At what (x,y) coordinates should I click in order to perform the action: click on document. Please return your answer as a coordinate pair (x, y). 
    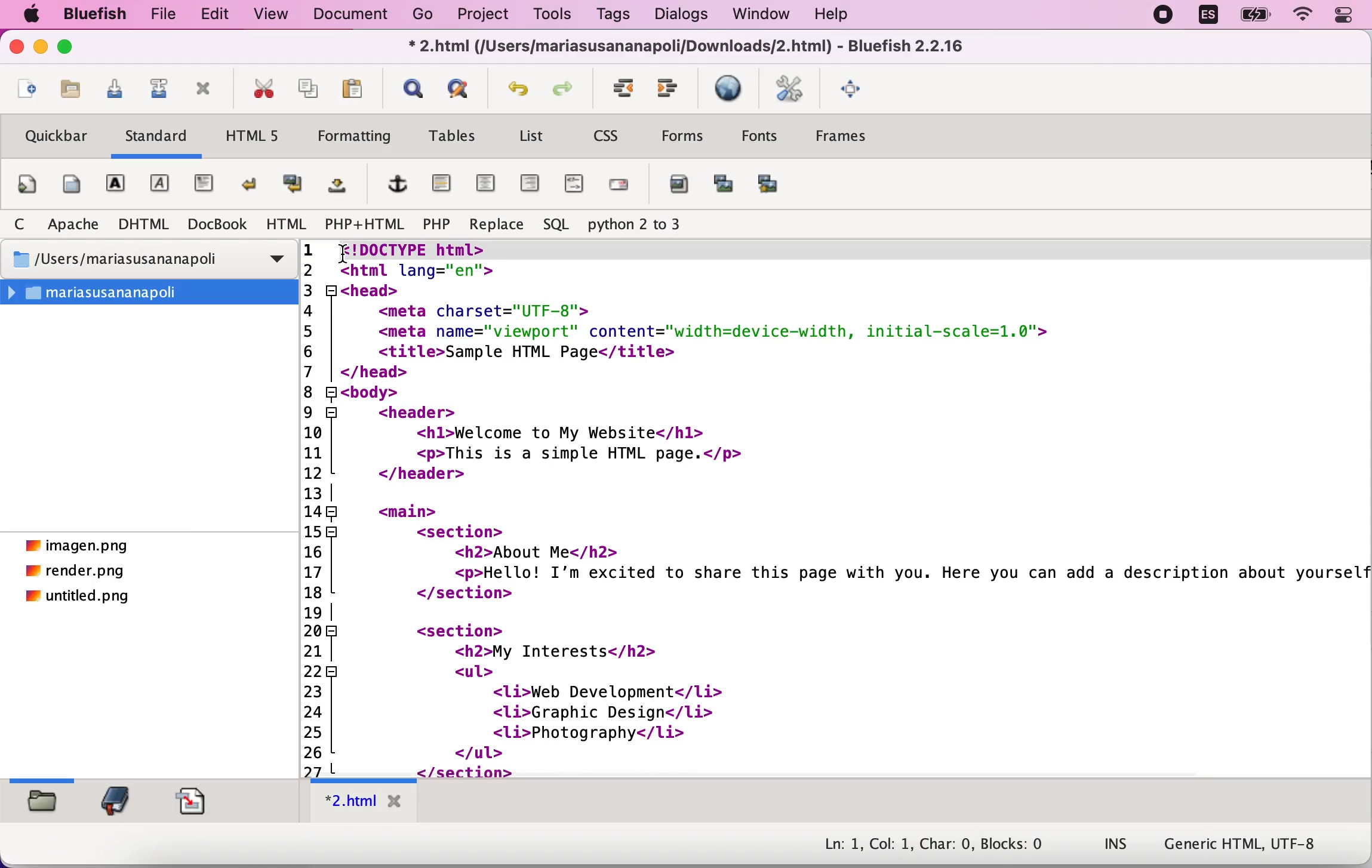
    Looking at the image, I should click on (352, 17).